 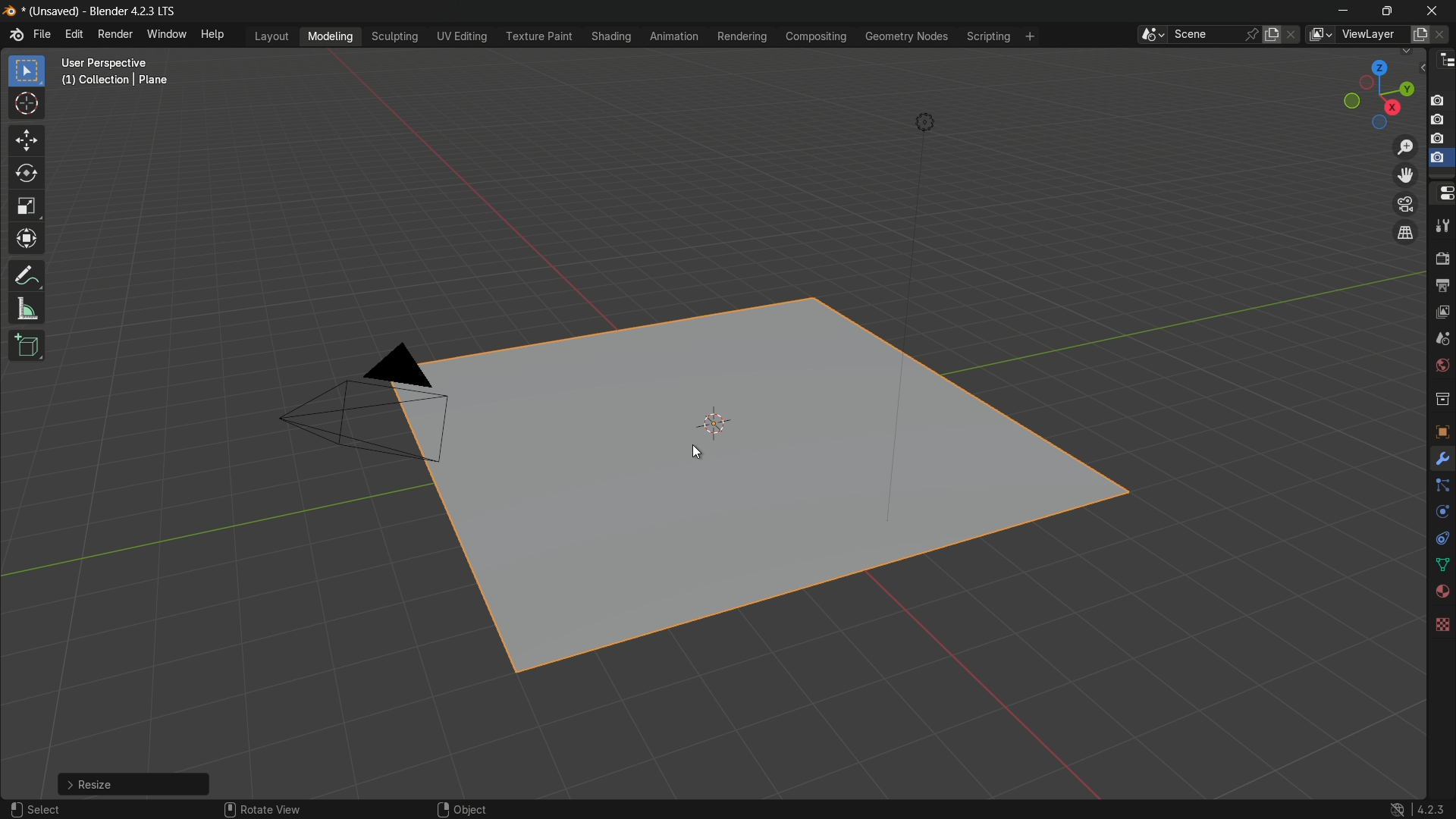 What do you see at coordinates (742, 36) in the screenshot?
I see `rendering` at bounding box center [742, 36].